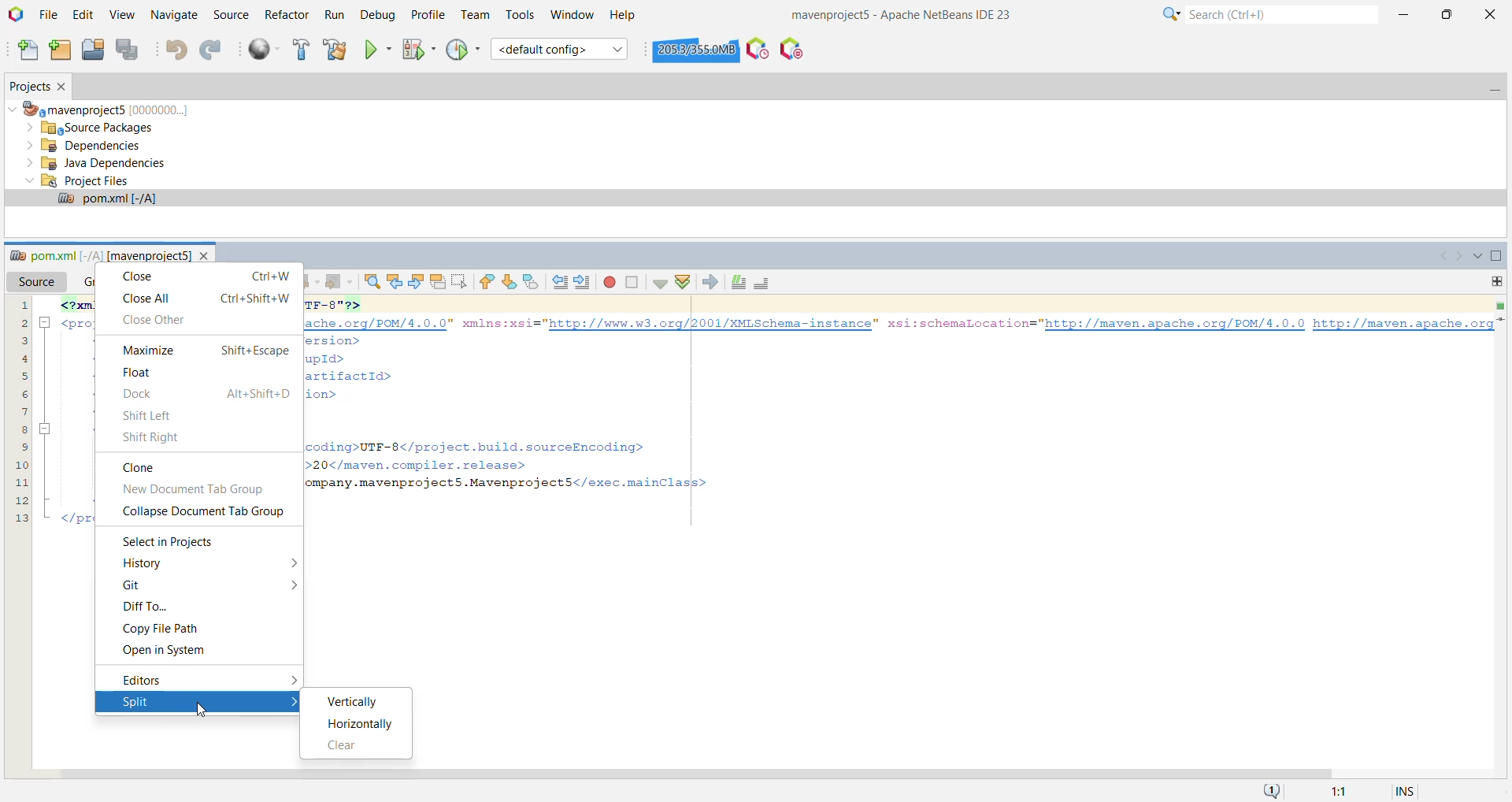  I want to click on Toggle Rectangular Selection, so click(461, 281).